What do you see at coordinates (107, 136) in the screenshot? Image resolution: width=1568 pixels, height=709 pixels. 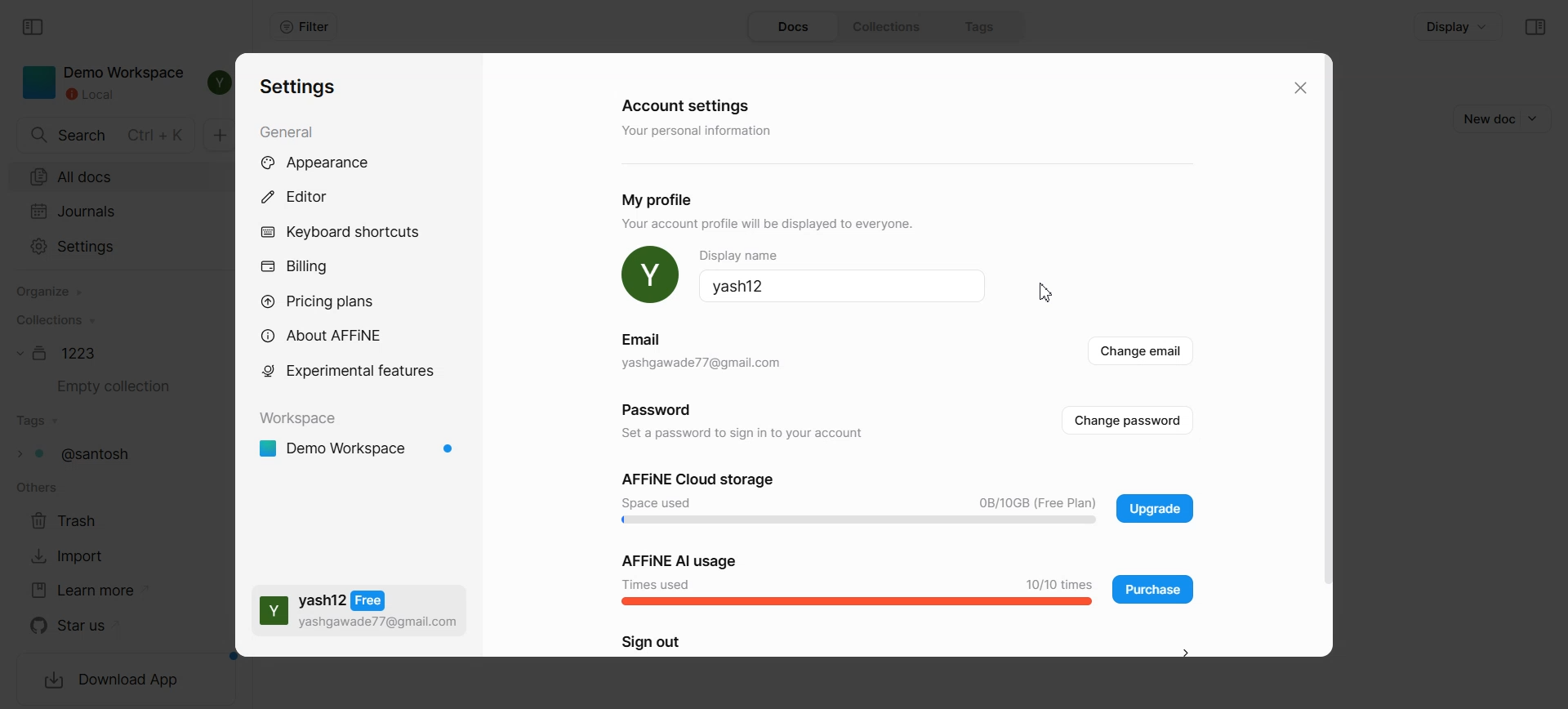 I see `Search doc` at bounding box center [107, 136].